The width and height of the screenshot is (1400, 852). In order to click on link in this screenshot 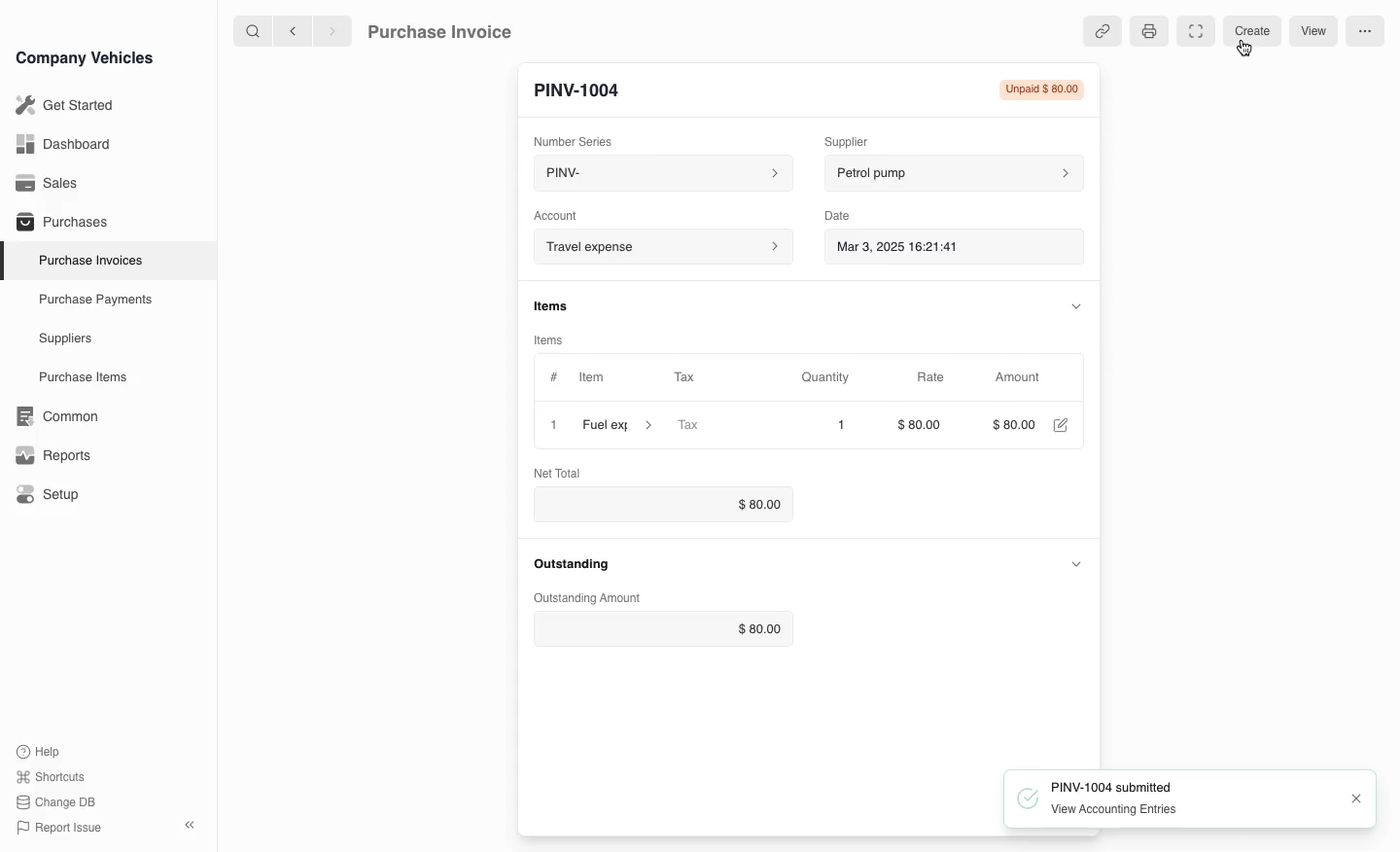, I will do `click(1101, 30)`.